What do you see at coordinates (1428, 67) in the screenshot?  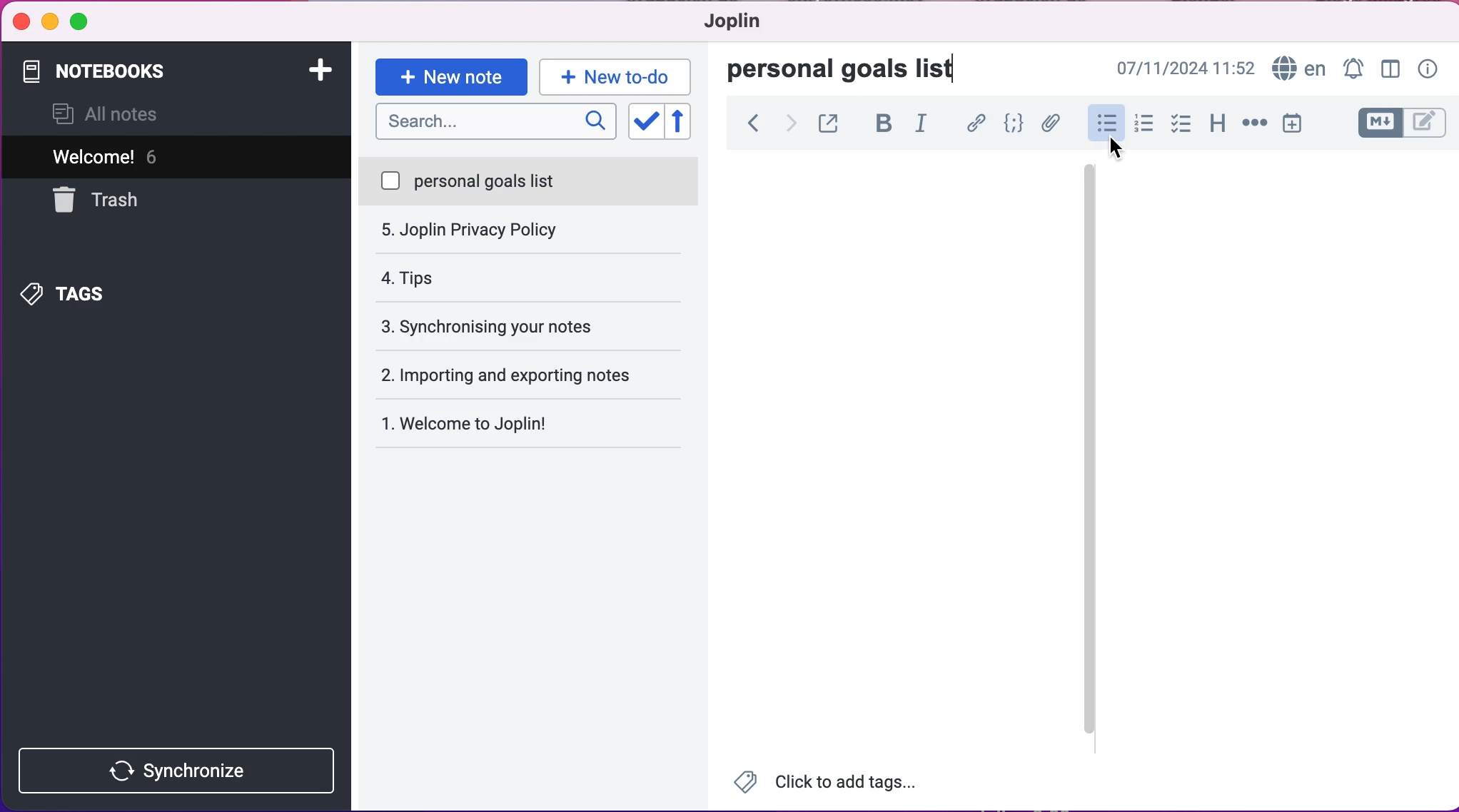 I see `note properties` at bounding box center [1428, 67].